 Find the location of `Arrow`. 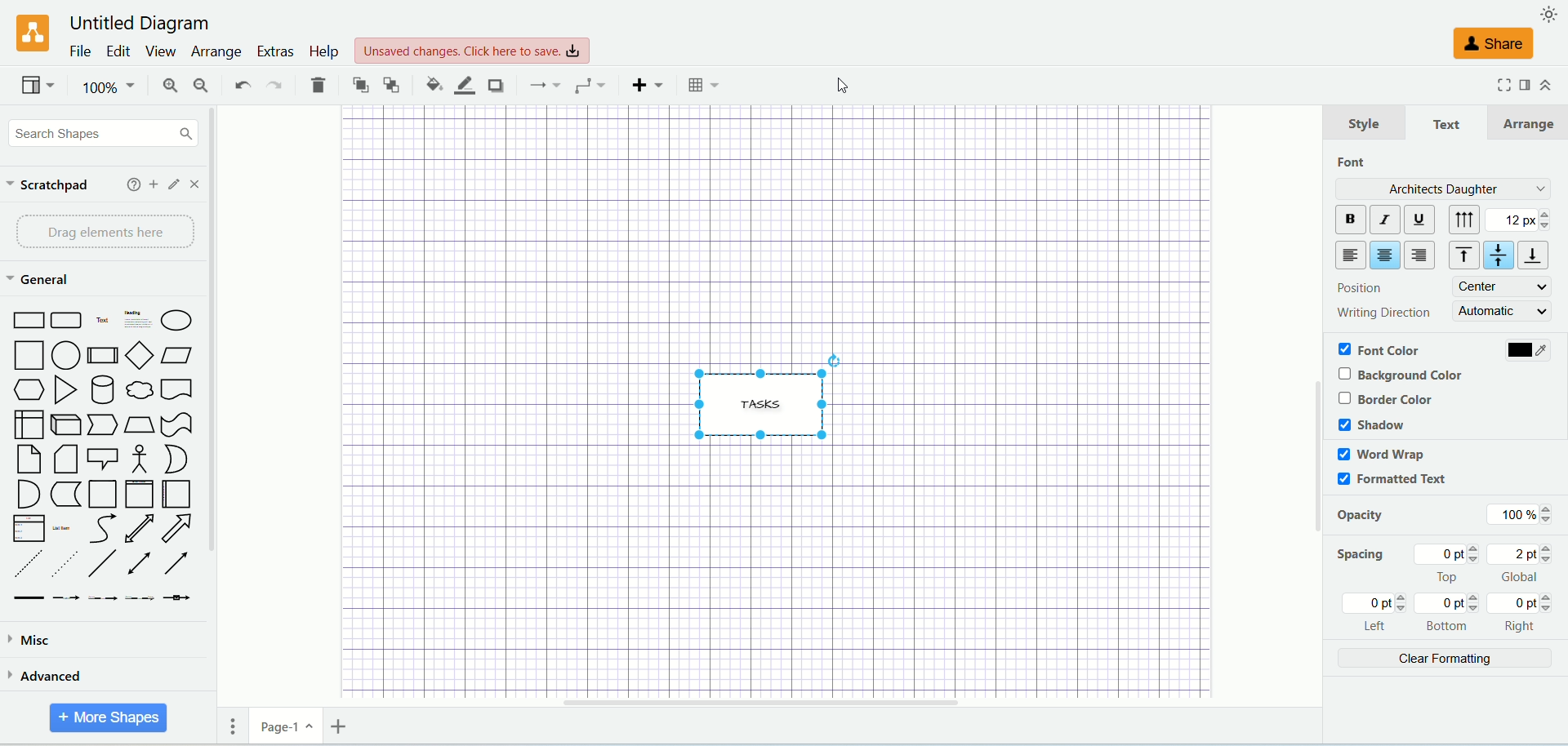

Arrow is located at coordinates (177, 528).